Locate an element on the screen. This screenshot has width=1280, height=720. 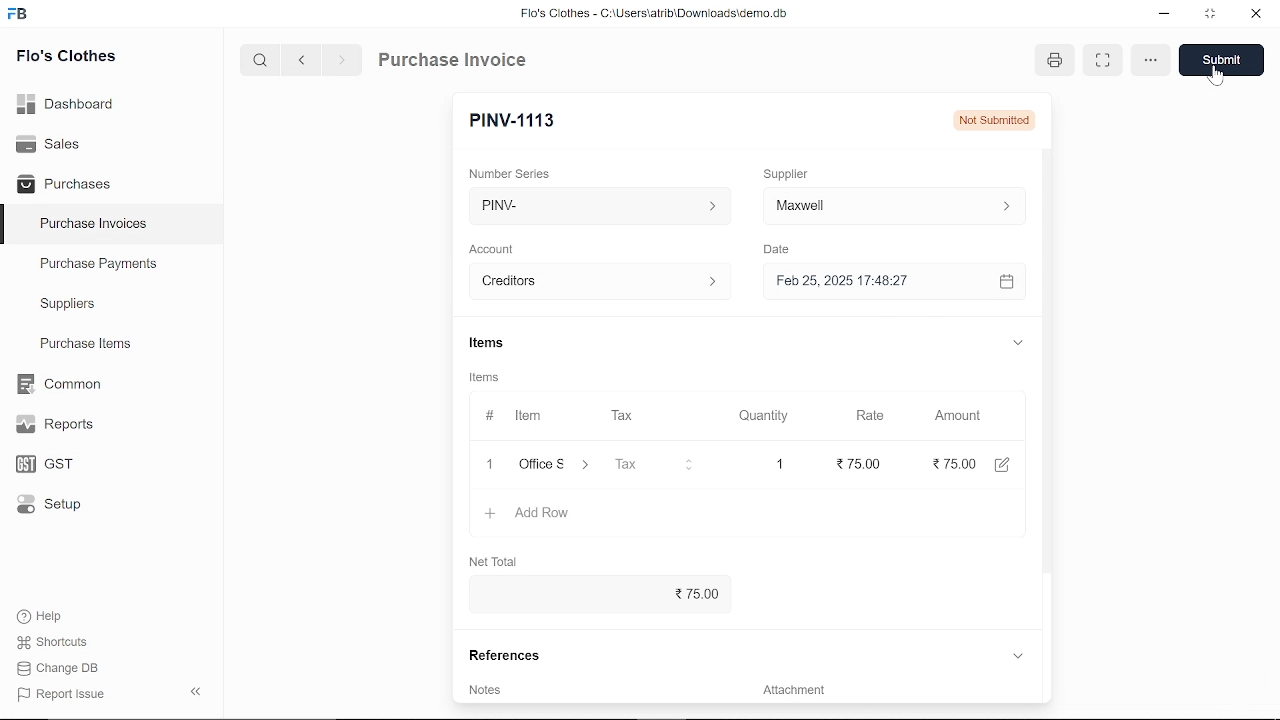
restore down is located at coordinates (1214, 15).